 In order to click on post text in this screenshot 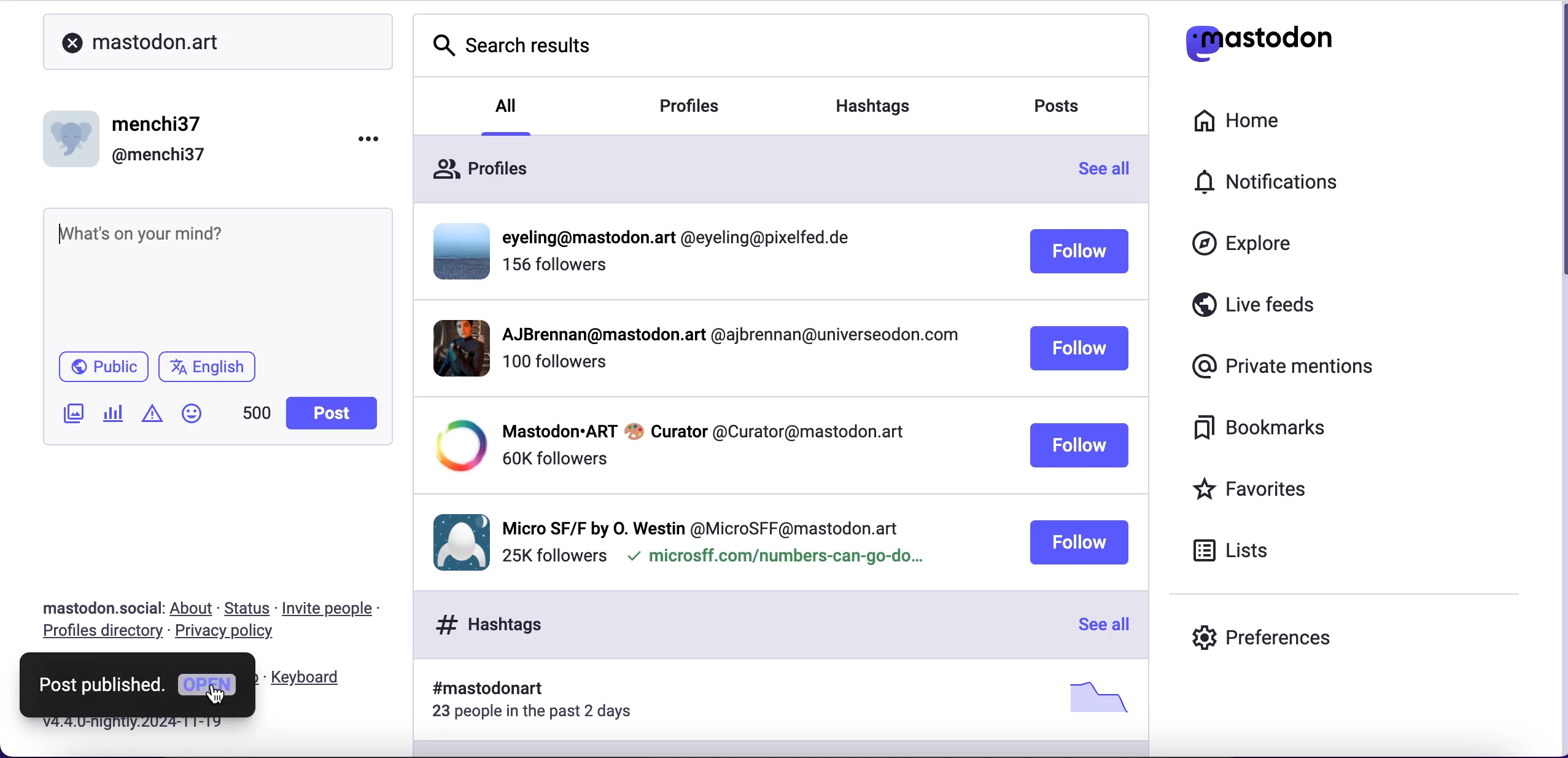, I will do `click(206, 244)`.